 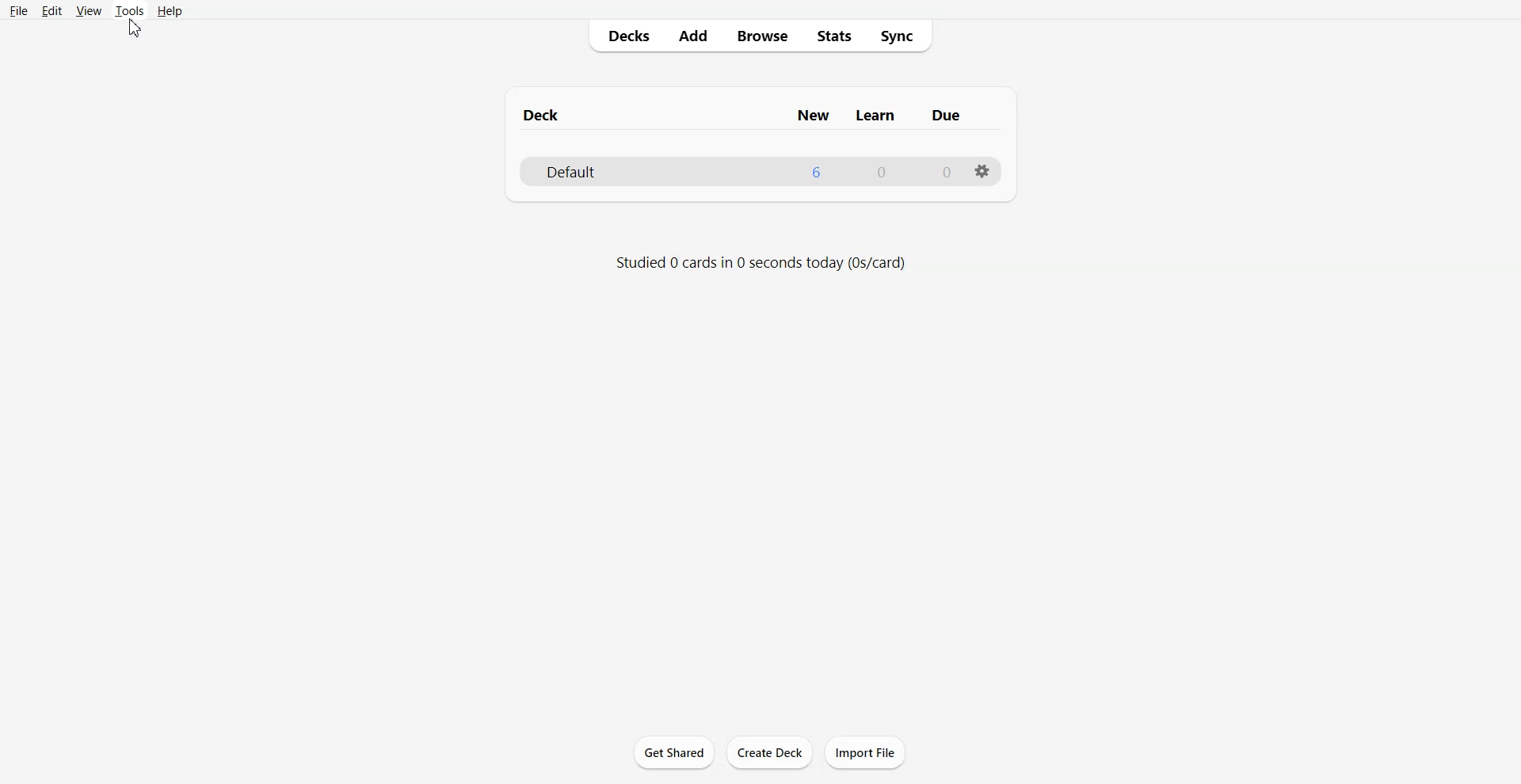 What do you see at coordinates (19, 10) in the screenshot?
I see `File` at bounding box center [19, 10].